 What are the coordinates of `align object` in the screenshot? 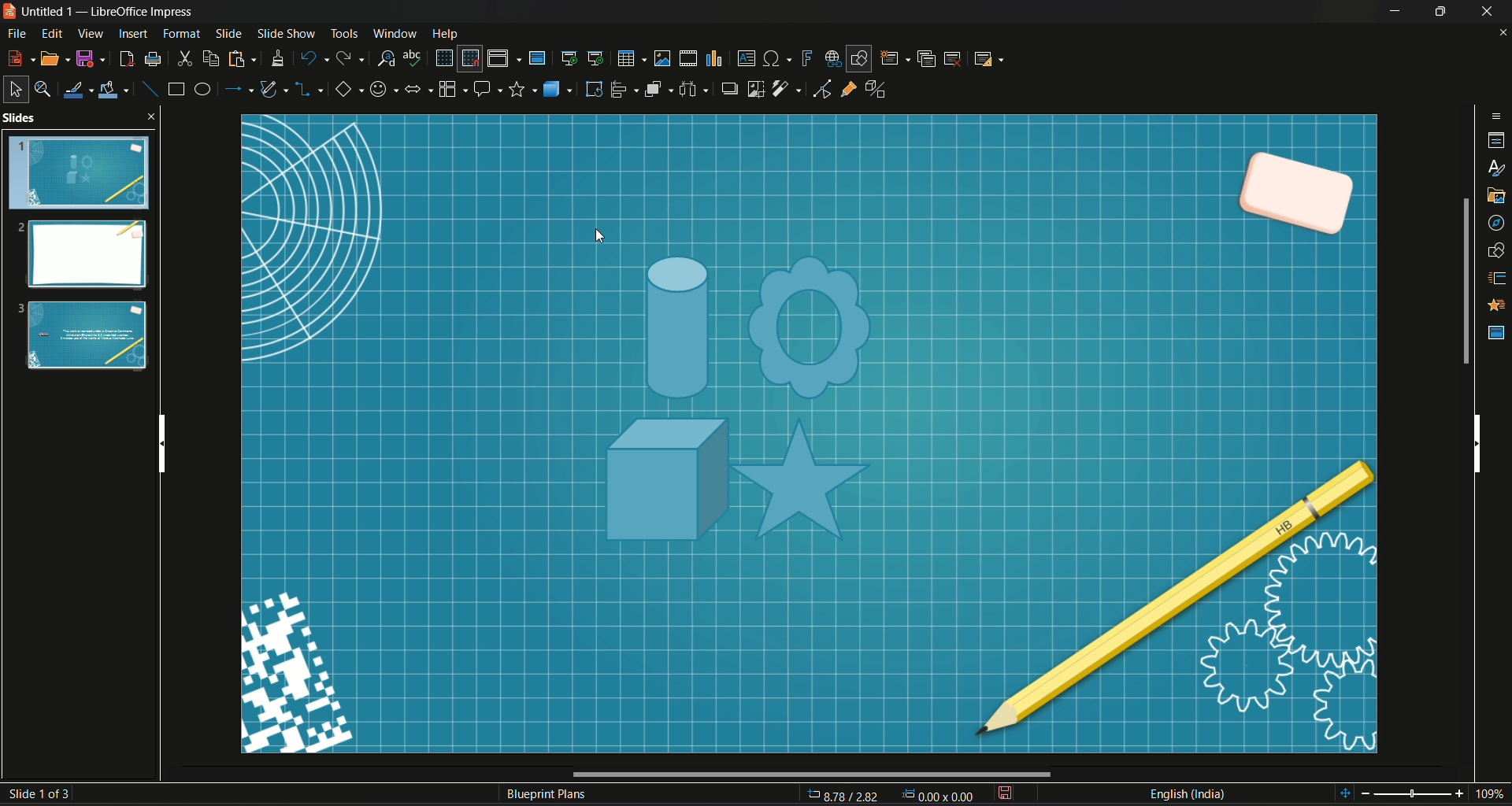 It's located at (624, 89).